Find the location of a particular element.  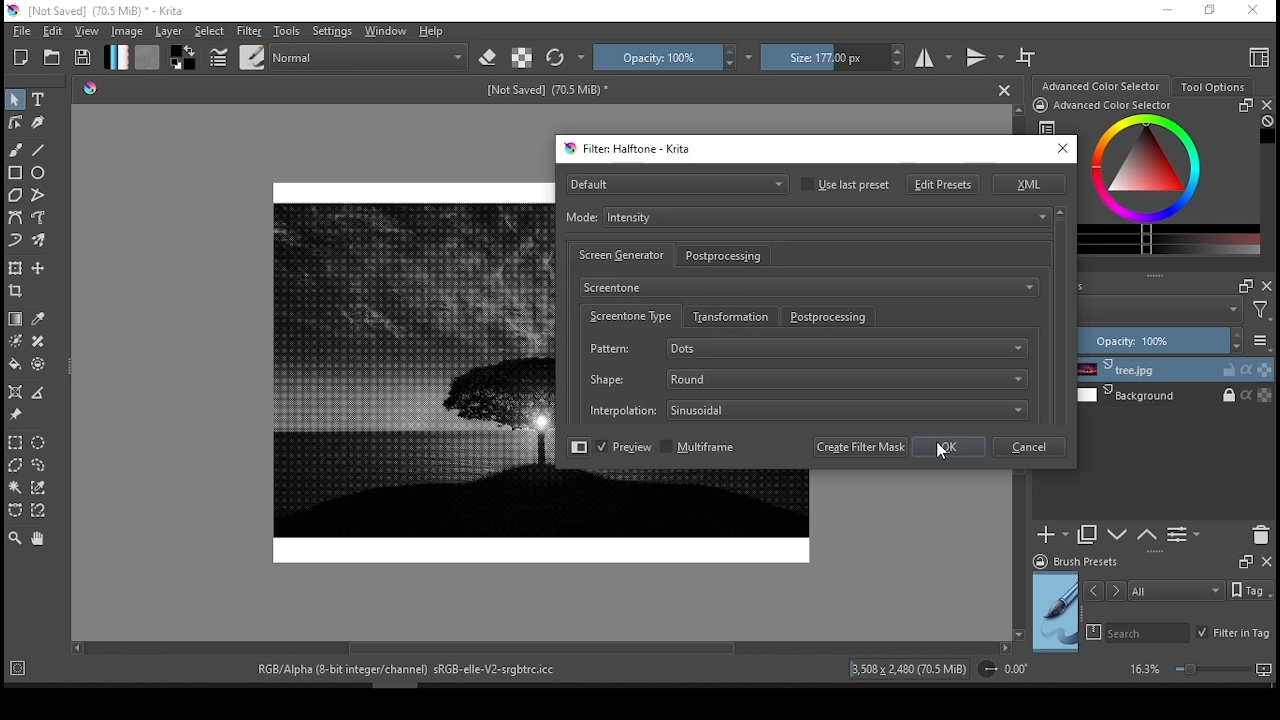

opacity is located at coordinates (1162, 339).